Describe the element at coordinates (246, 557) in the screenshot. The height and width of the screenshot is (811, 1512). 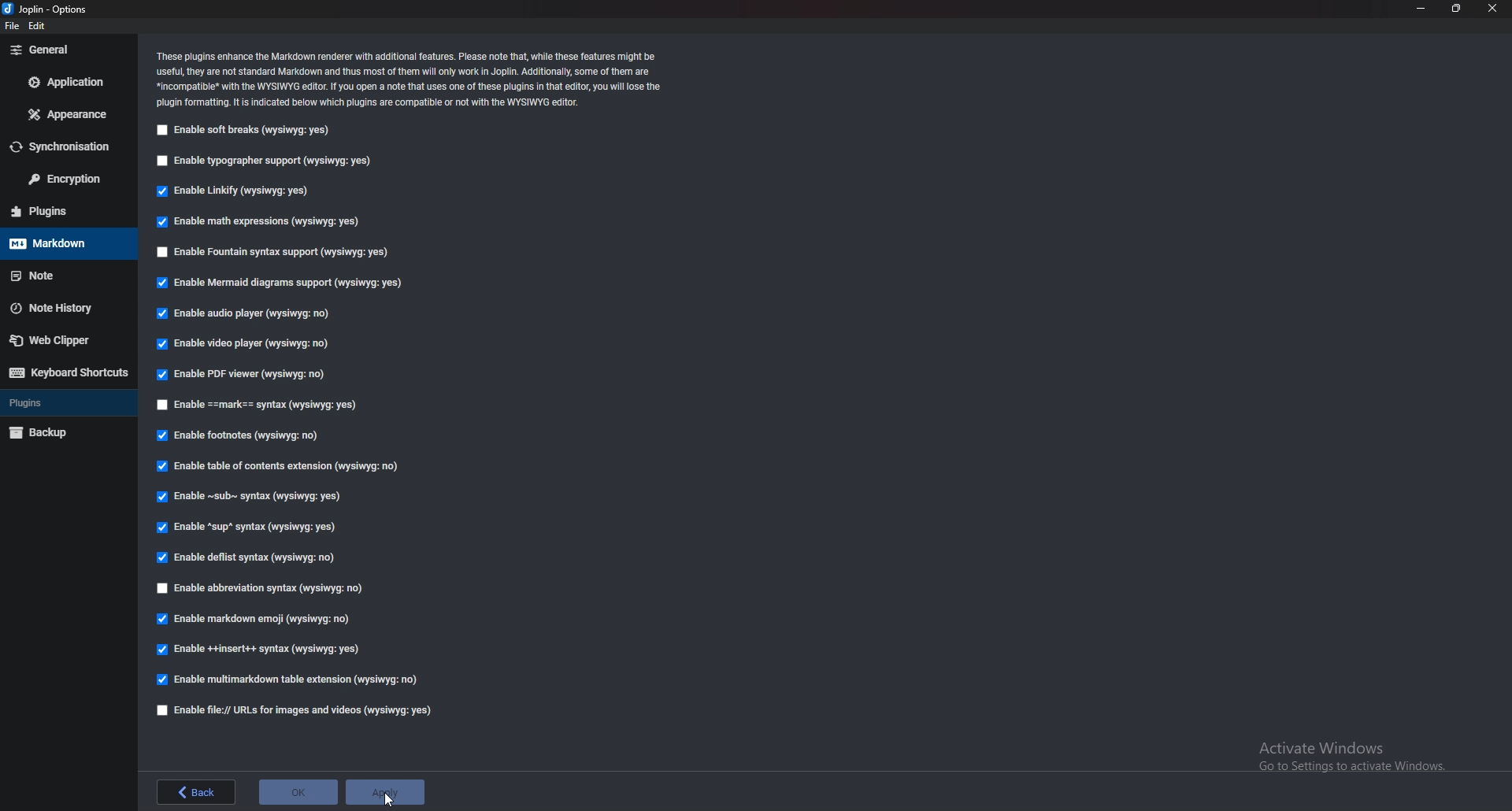
I see `enable deflist syntax` at that location.